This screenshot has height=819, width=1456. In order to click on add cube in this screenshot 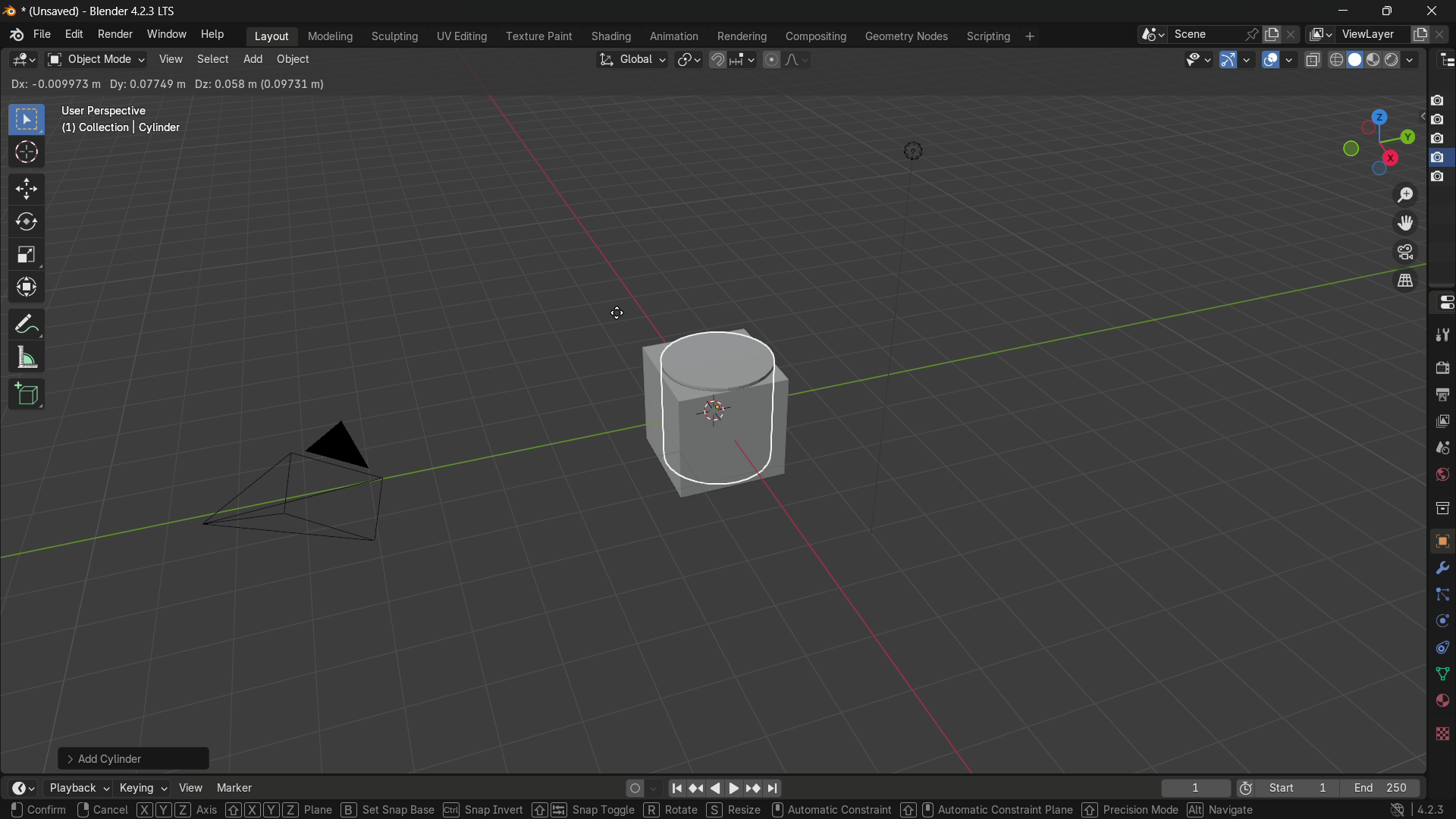, I will do `click(26, 395)`.